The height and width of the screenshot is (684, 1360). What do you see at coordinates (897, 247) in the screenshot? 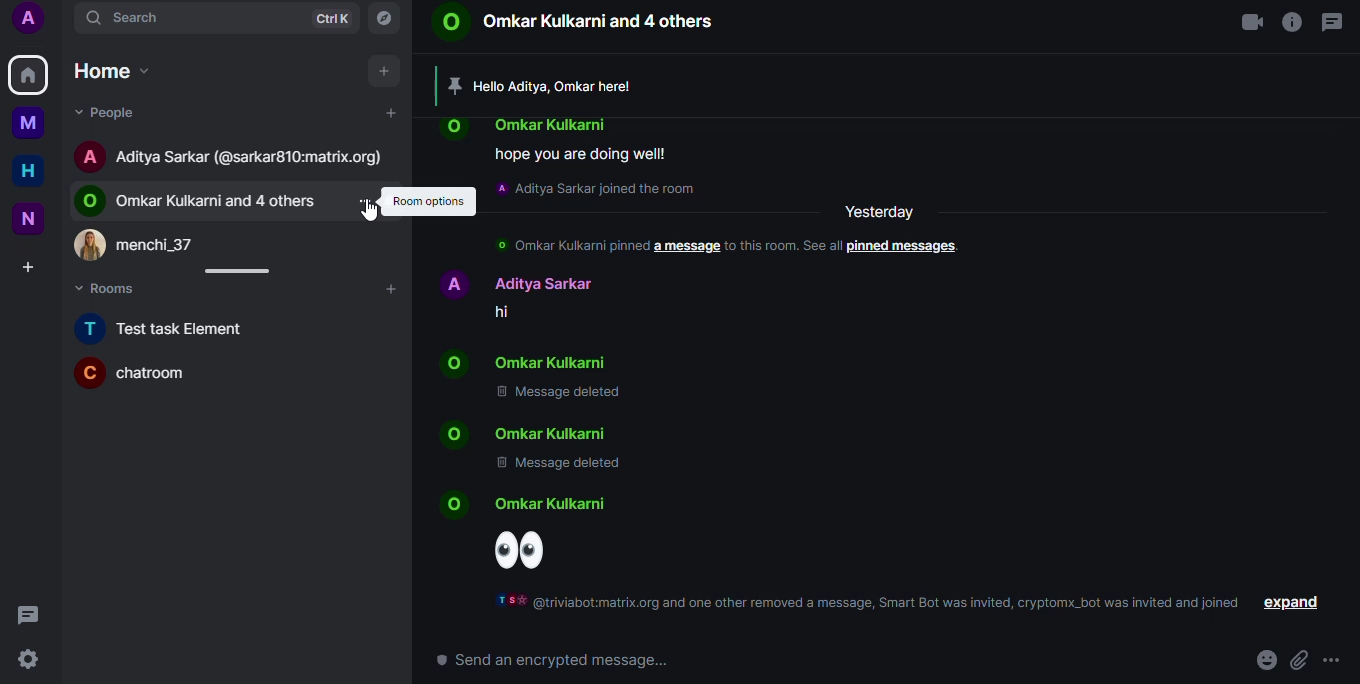
I see `pinned messages` at bounding box center [897, 247].